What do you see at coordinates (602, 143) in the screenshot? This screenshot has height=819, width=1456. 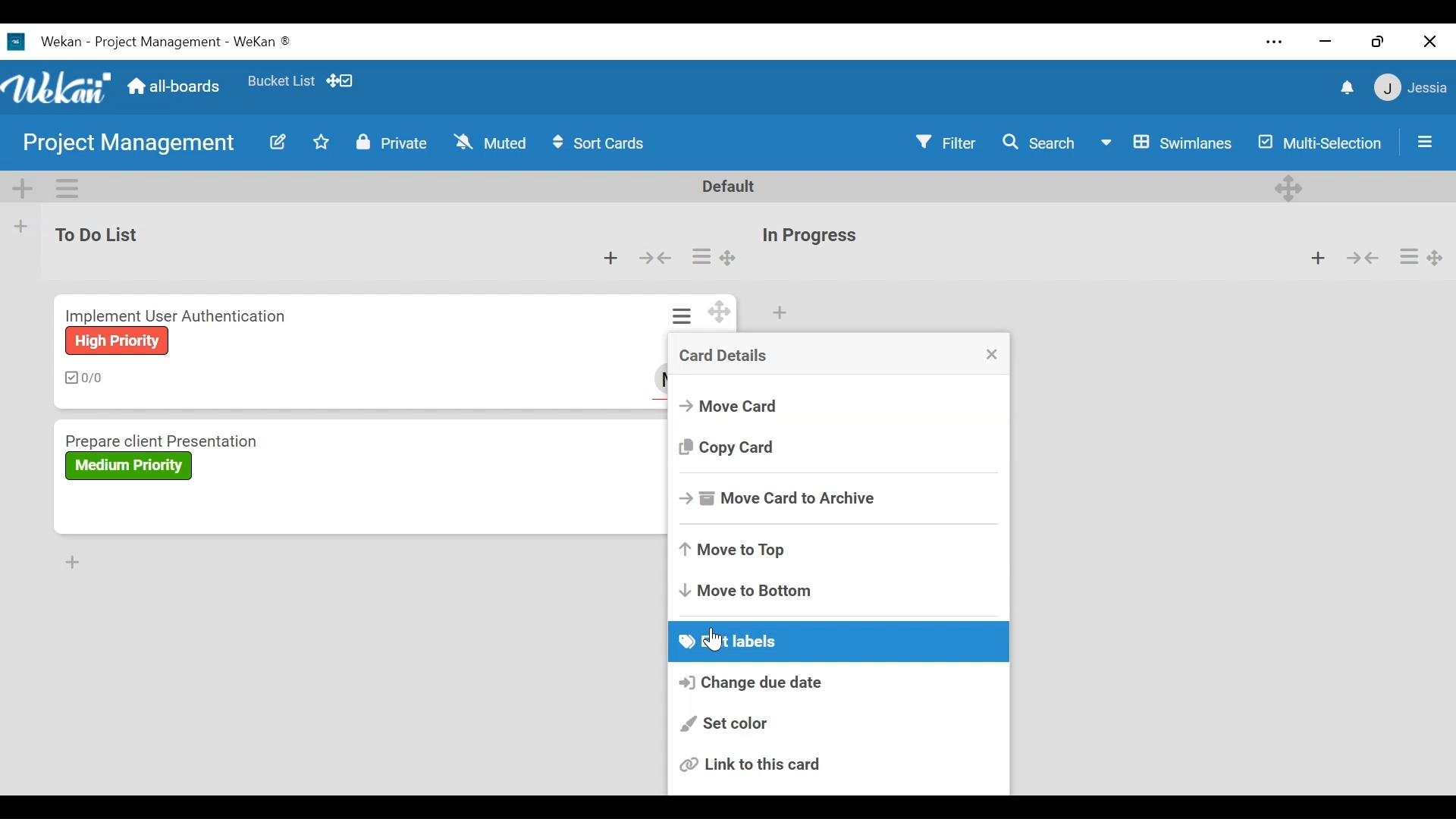 I see `Sort Cards` at bounding box center [602, 143].